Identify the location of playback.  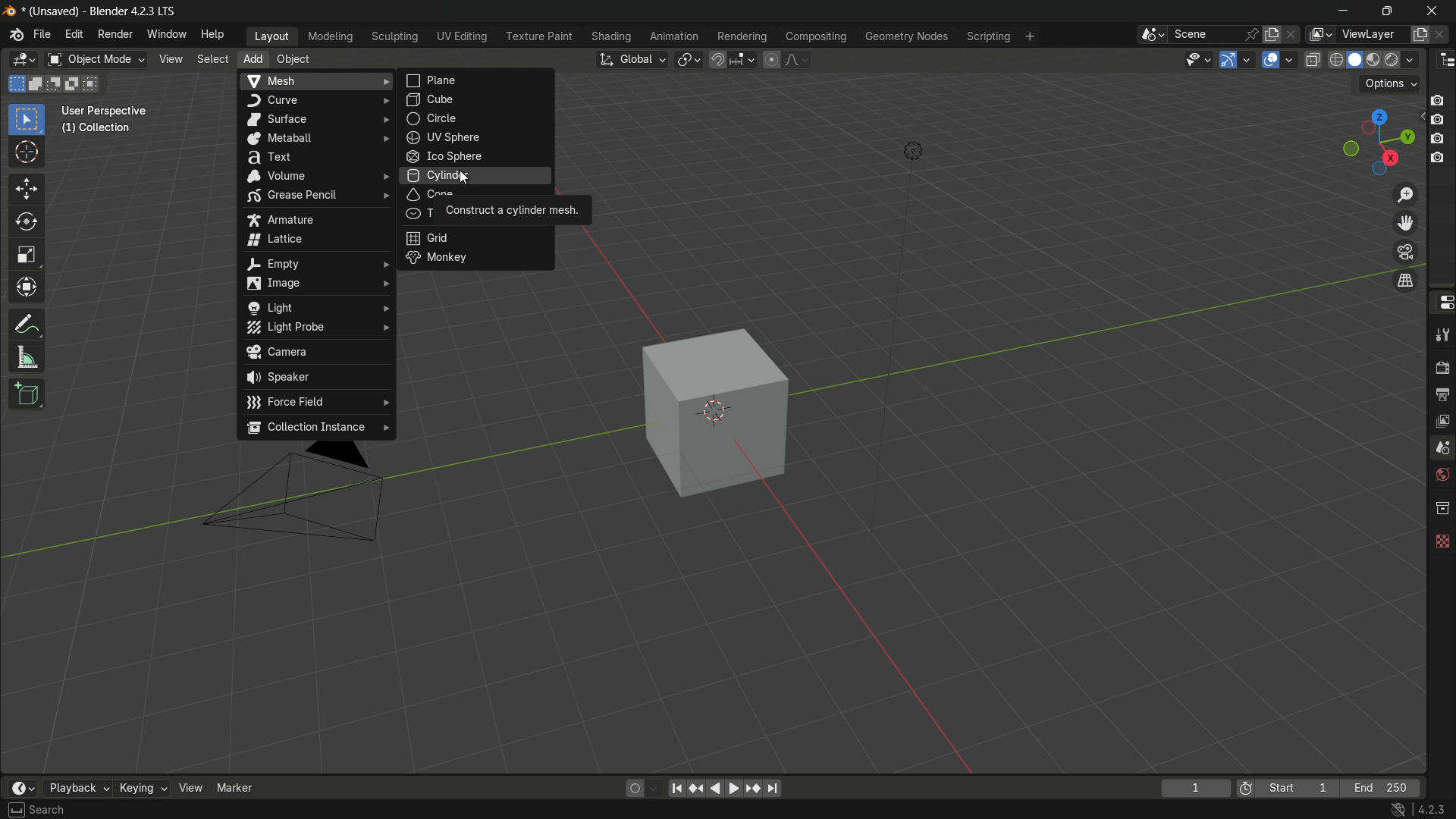
(78, 789).